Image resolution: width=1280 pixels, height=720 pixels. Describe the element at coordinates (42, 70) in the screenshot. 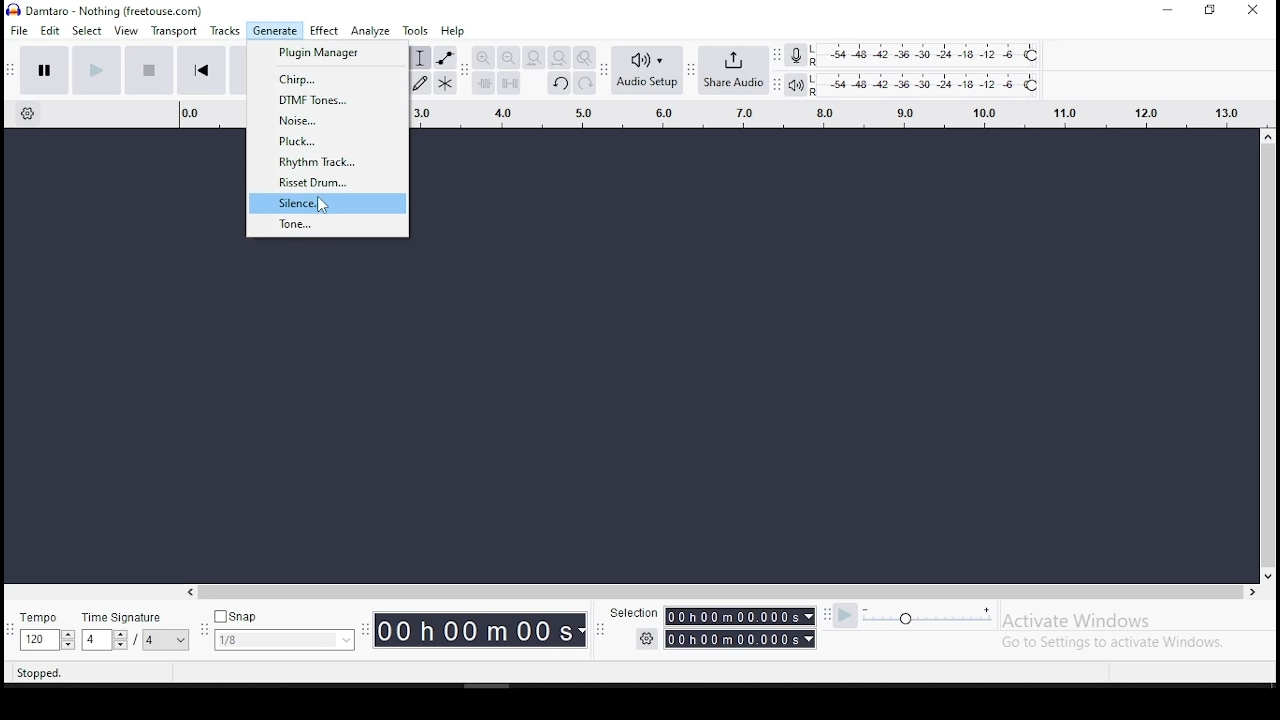

I see `pause` at that location.